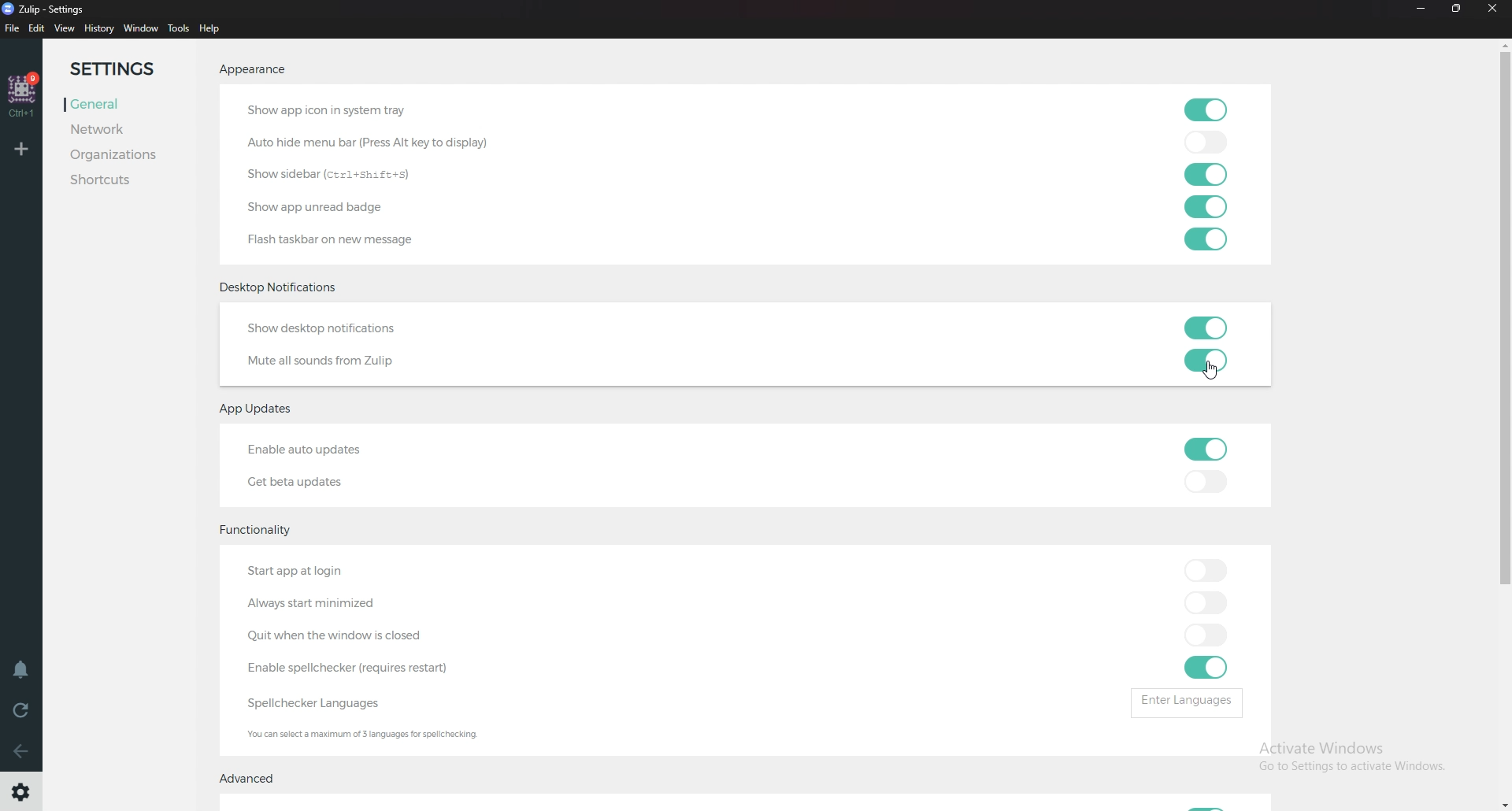  I want to click on Advanced, so click(254, 781).